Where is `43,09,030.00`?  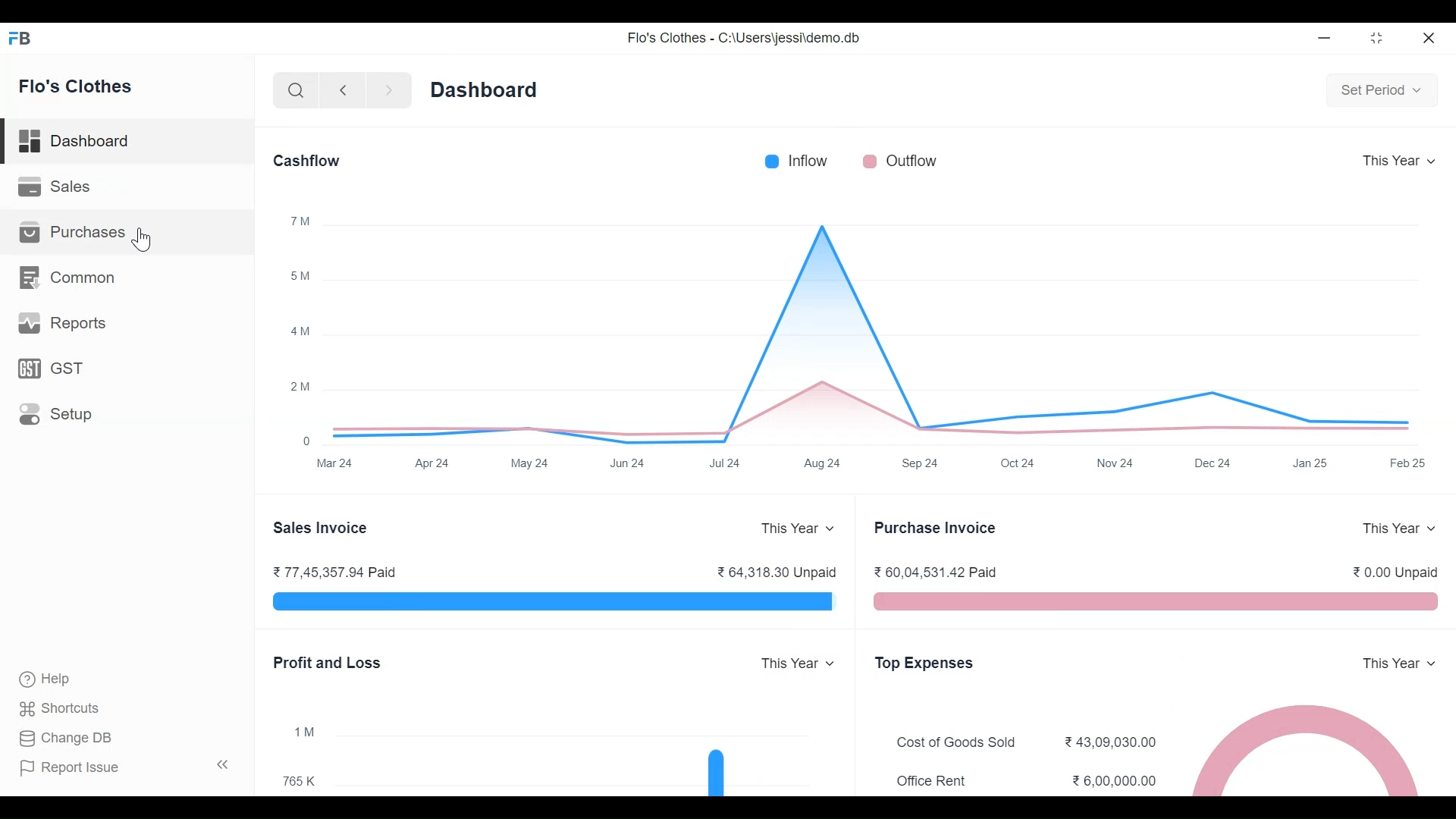
43,09,030.00 is located at coordinates (1113, 742).